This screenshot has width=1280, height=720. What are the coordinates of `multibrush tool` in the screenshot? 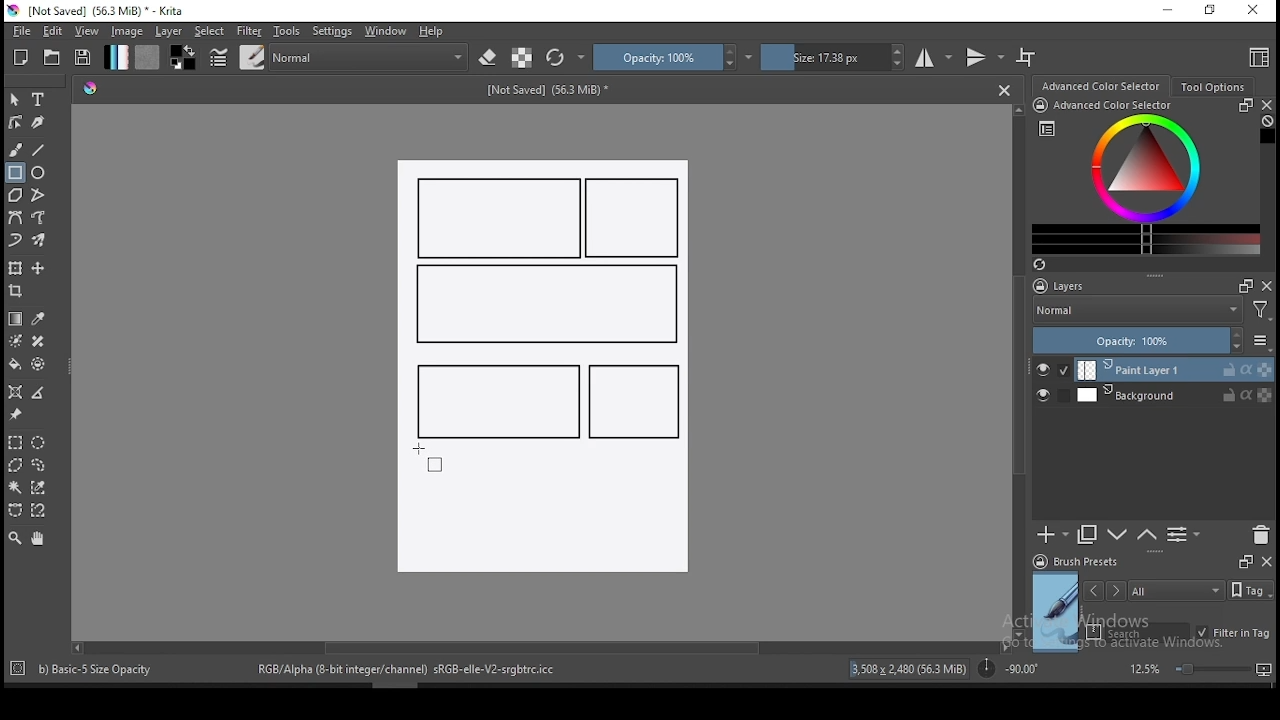 It's located at (40, 242).